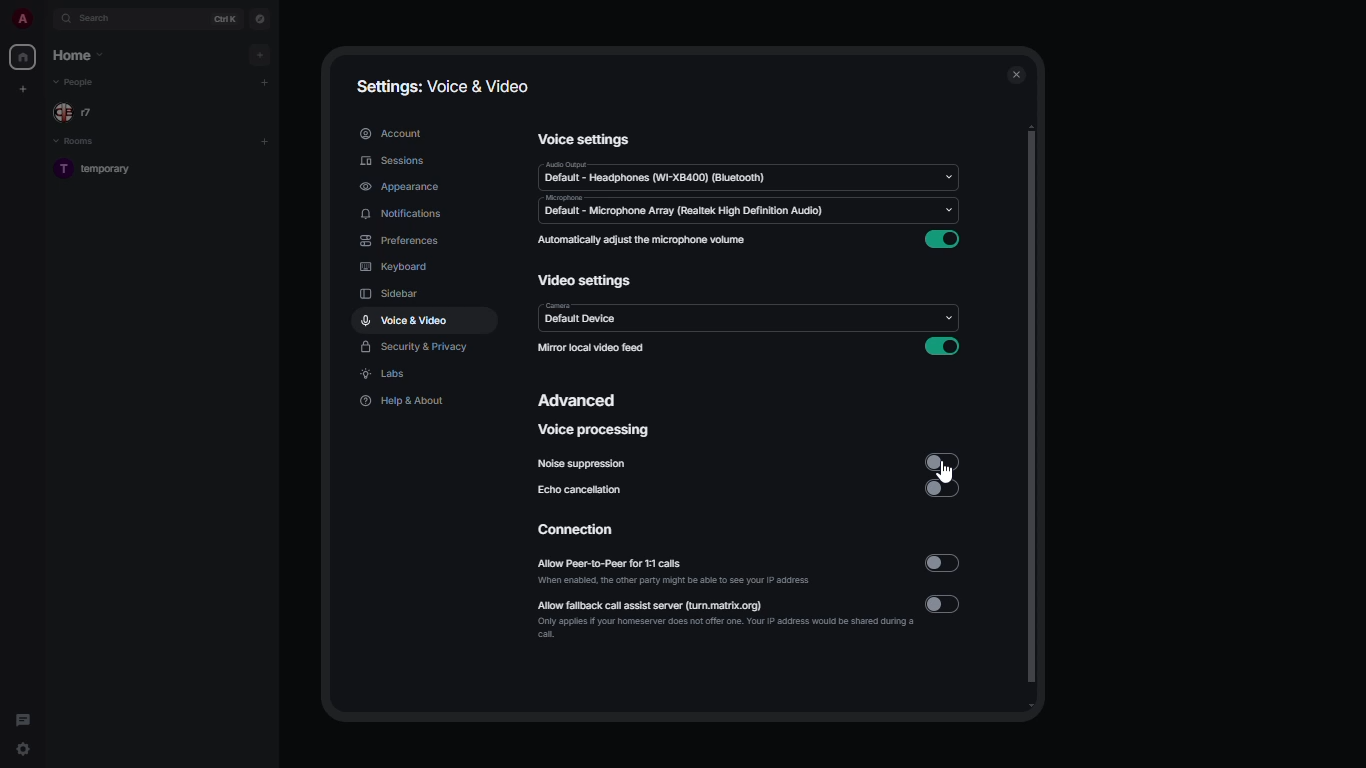  Describe the element at coordinates (656, 174) in the screenshot. I see `audio default` at that location.